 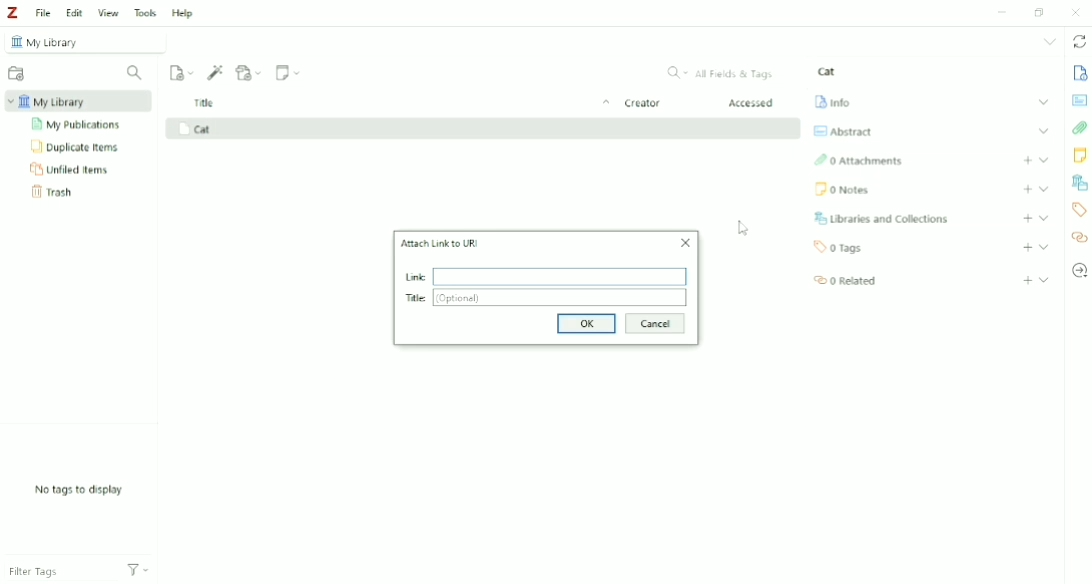 What do you see at coordinates (752, 103) in the screenshot?
I see `Accessed` at bounding box center [752, 103].